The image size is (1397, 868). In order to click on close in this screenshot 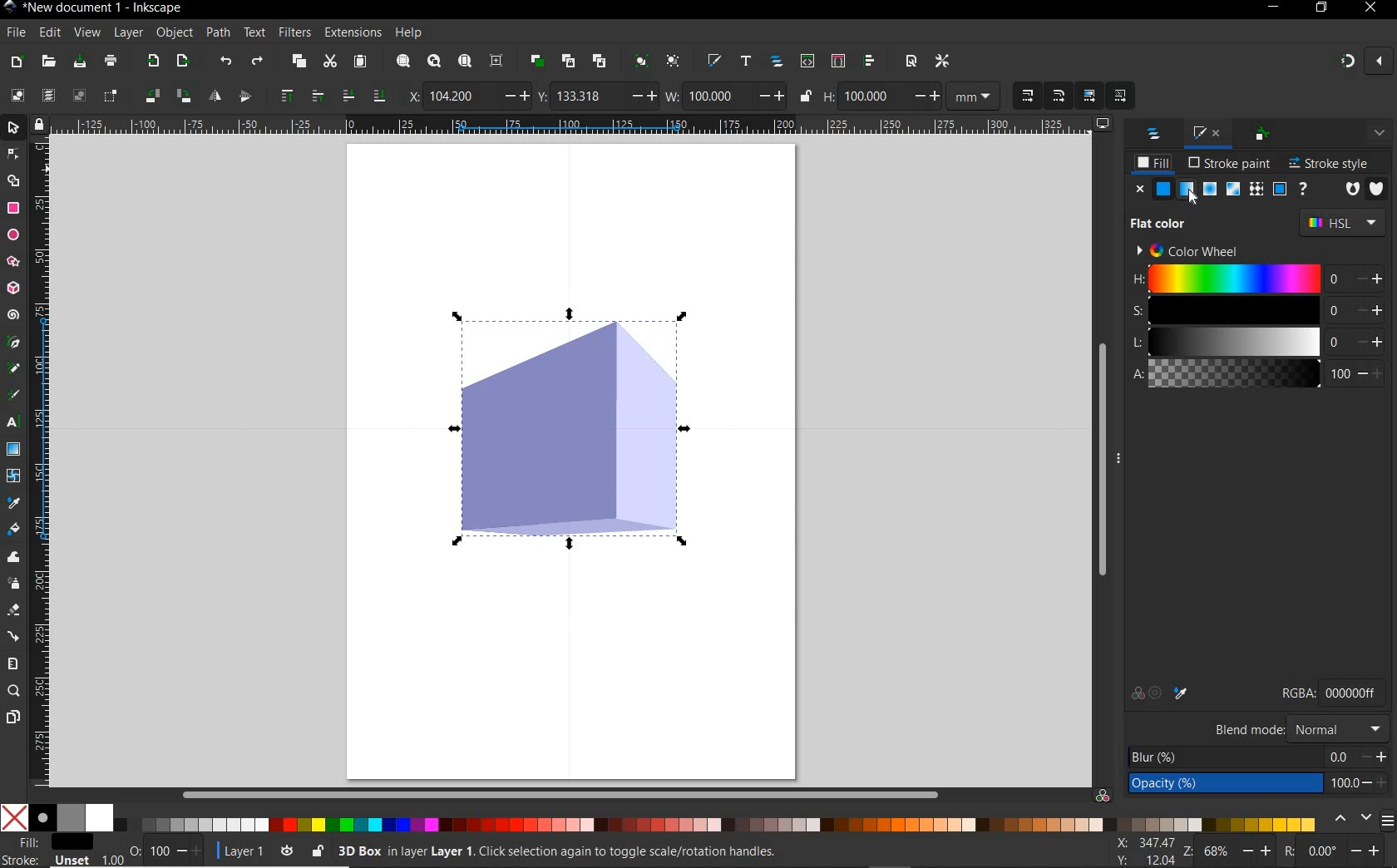, I will do `click(1138, 189)`.